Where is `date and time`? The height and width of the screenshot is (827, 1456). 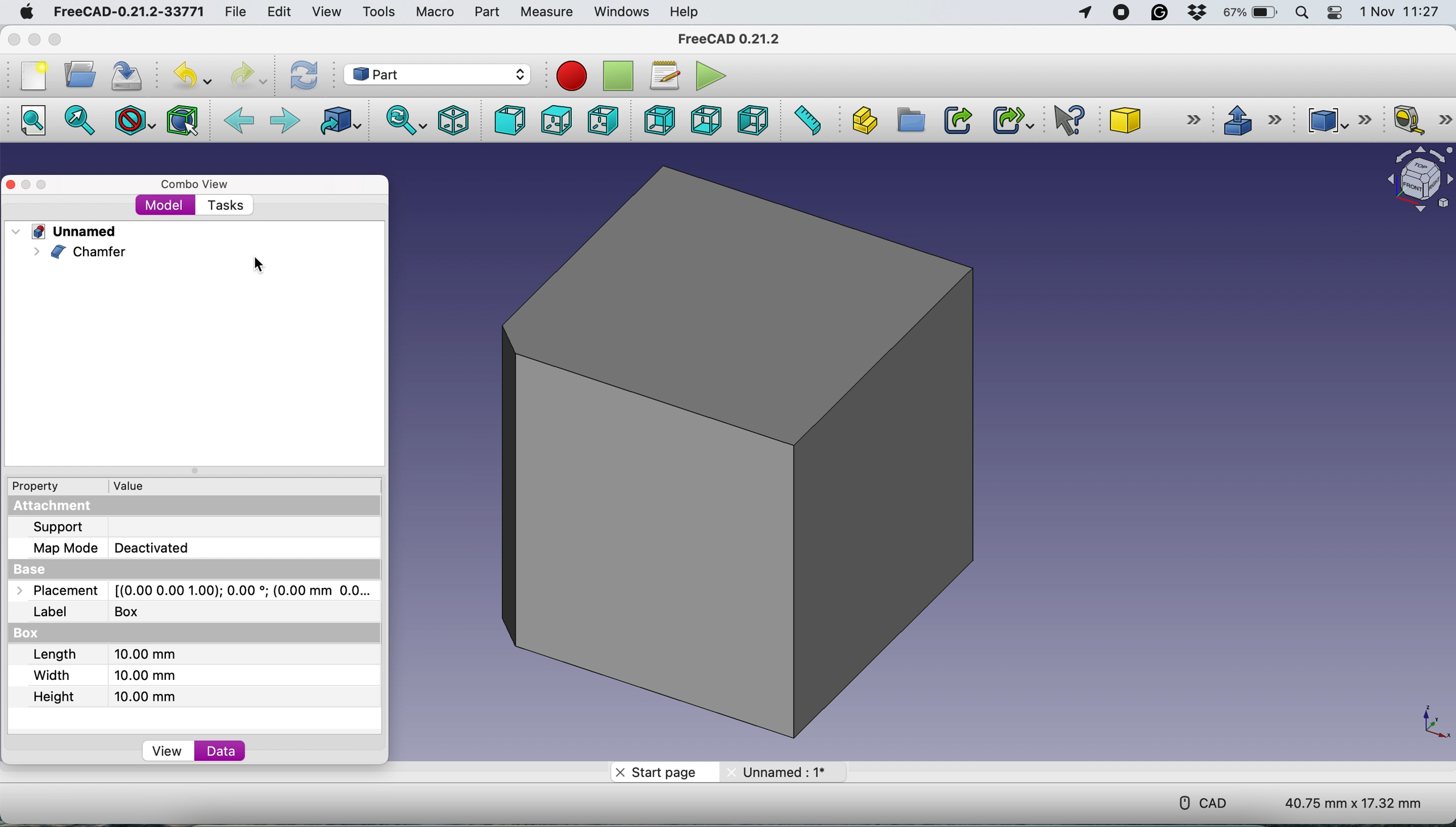
date and time is located at coordinates (1397, 12).